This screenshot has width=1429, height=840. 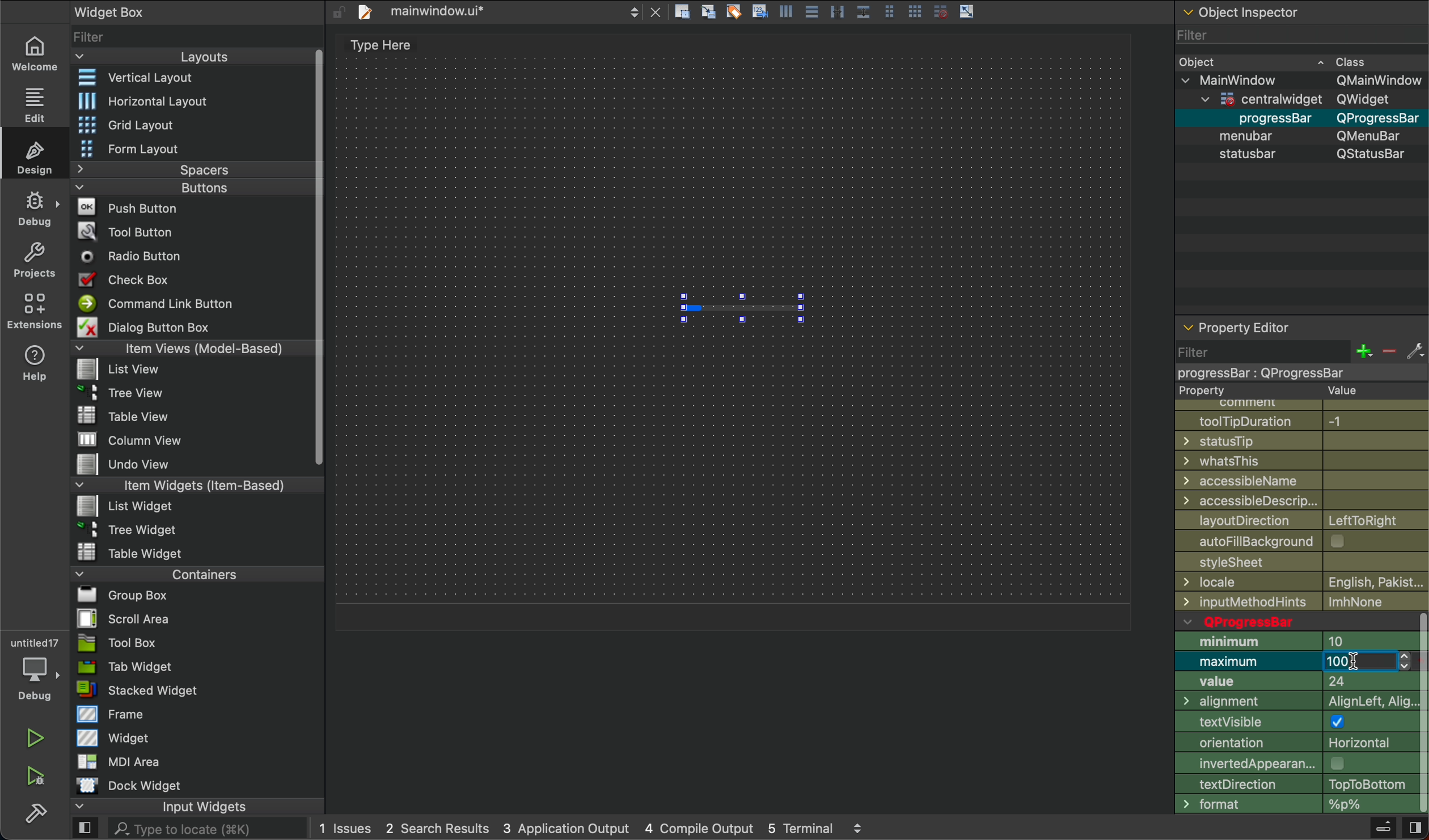 What do you see at coordinates (129, 786) in the screenshot?
I see `Dock WIdget` at bounding box center [129, 786].